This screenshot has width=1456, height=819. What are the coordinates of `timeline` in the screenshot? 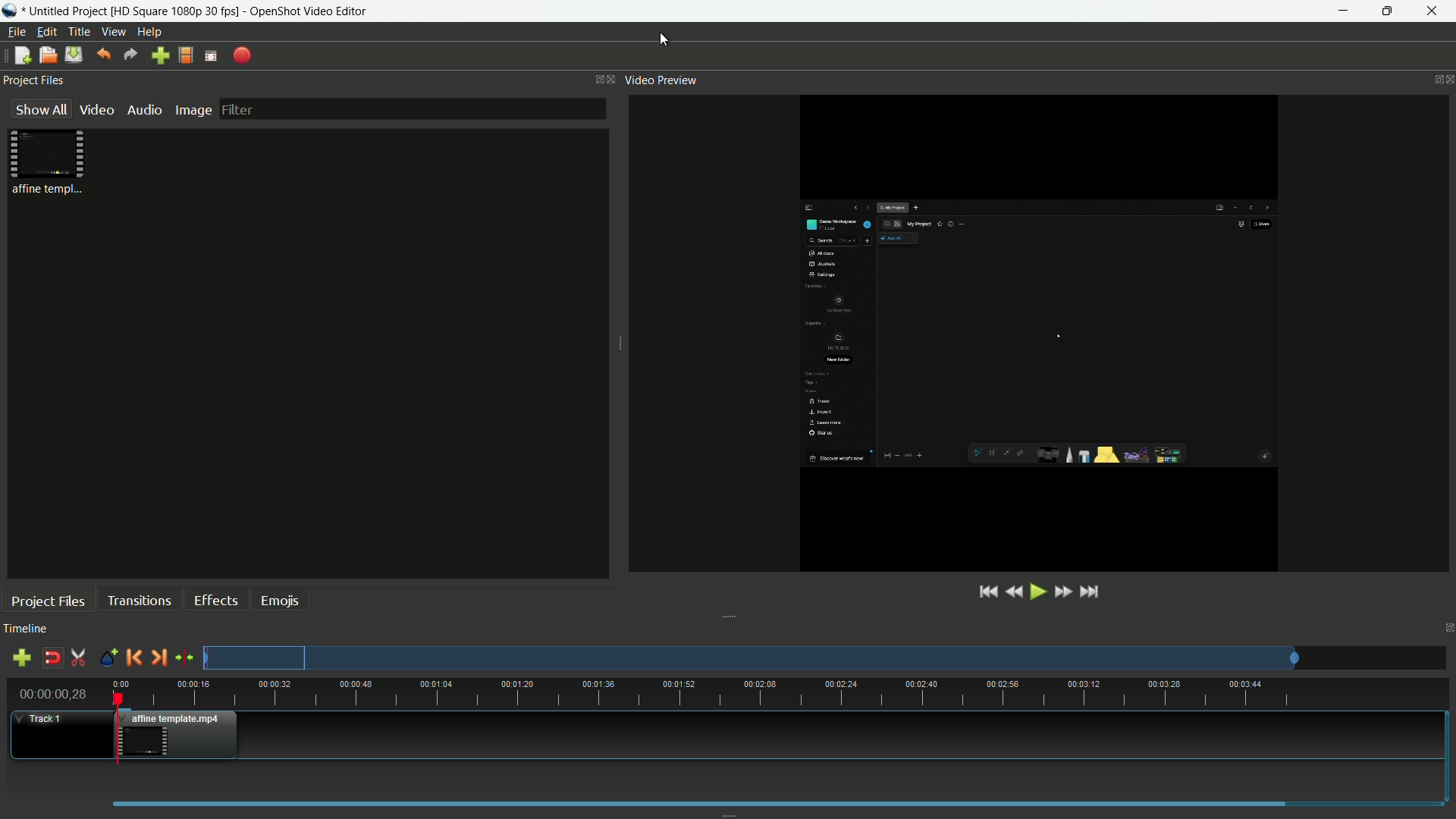 It's located at (26, 629).